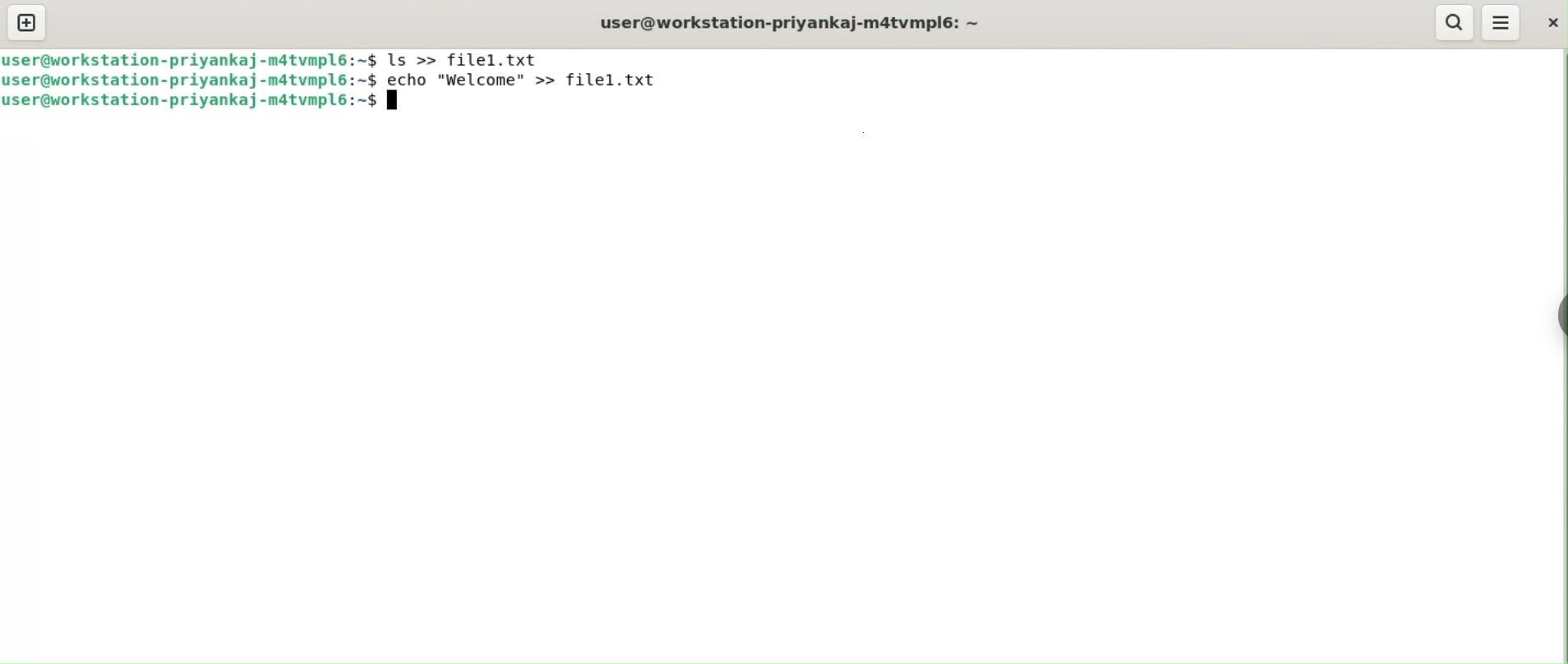  What do you see at coordinates (190, 104) in the screenshot?
I see `user@workstation-priyankaj-m4tvmpl6: ~$` at bounding box center [190, 104].